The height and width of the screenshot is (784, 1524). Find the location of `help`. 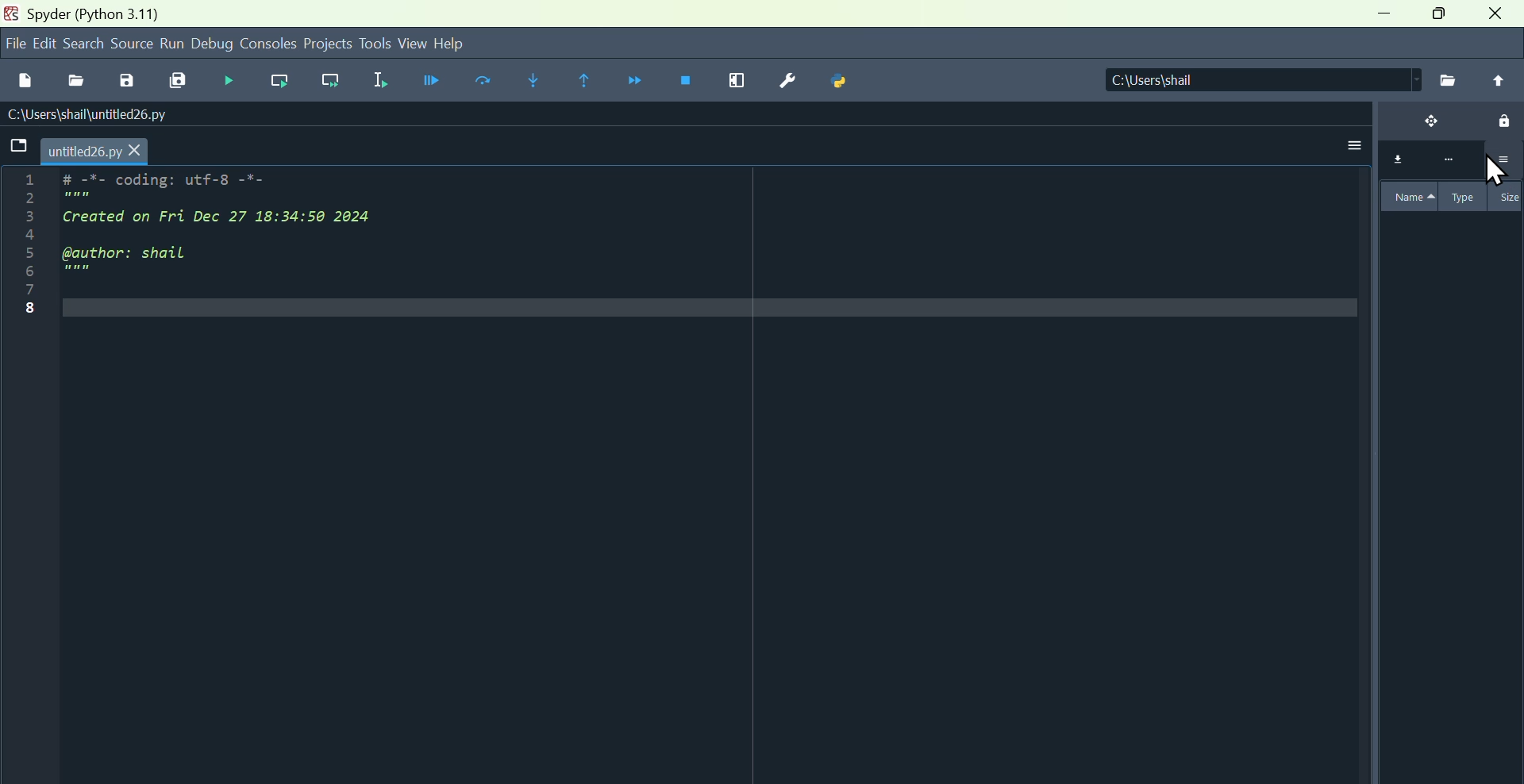

help is located at coordinates (470, 41).